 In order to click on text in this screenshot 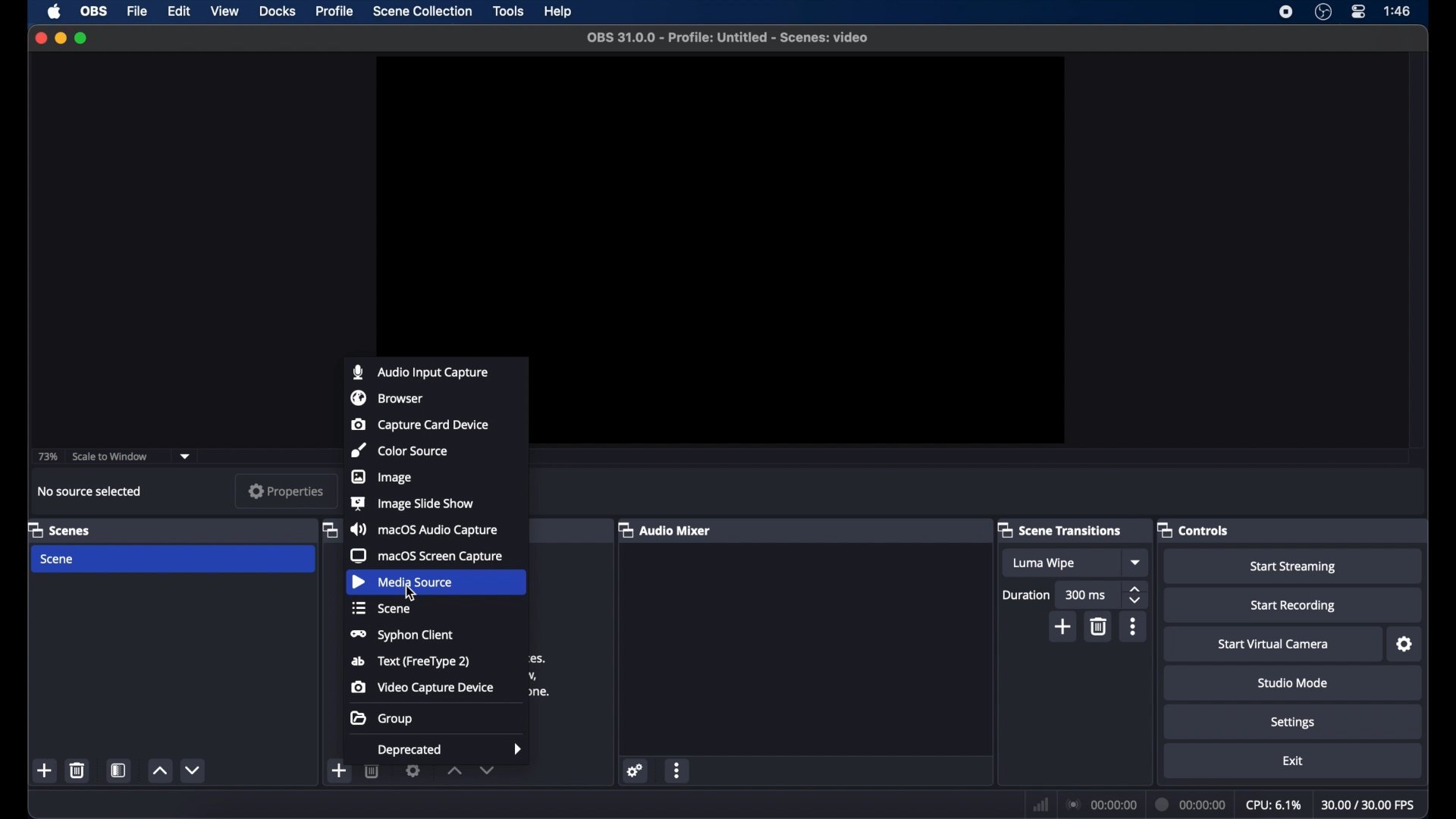, I will do `click(409, 662)`.